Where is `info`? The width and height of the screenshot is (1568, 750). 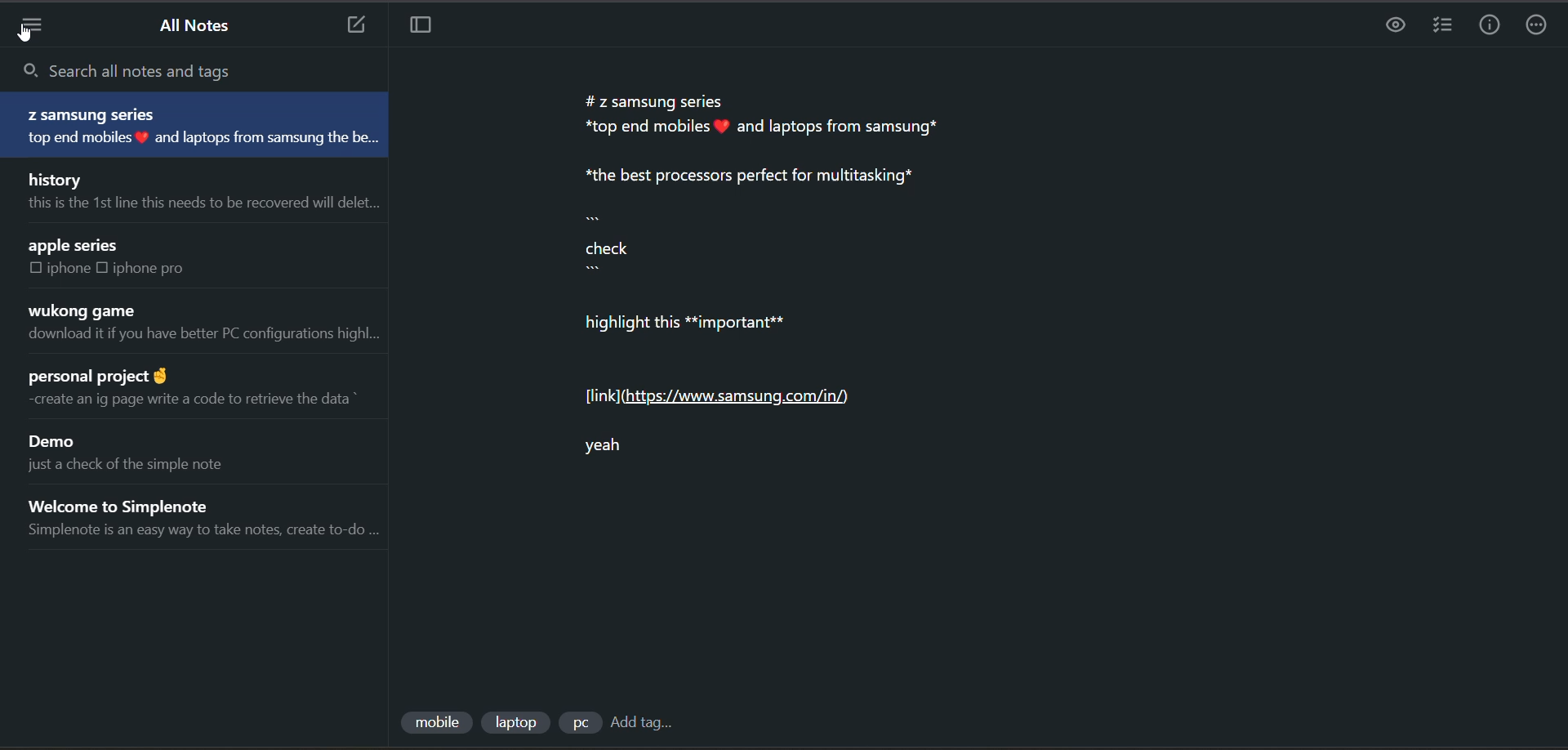
info is located at coordinates (1490, 29).